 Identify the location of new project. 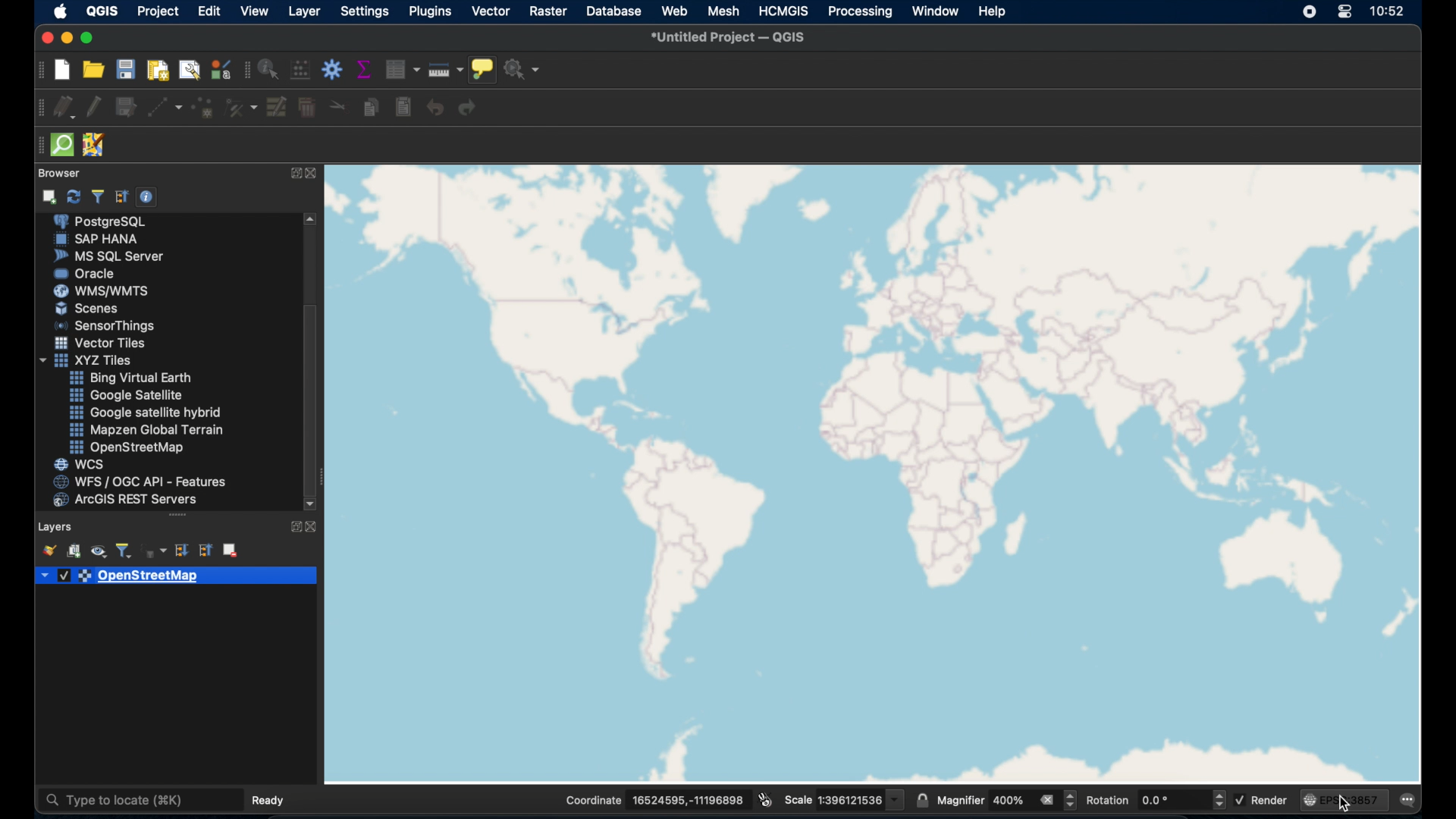
(61, 71).